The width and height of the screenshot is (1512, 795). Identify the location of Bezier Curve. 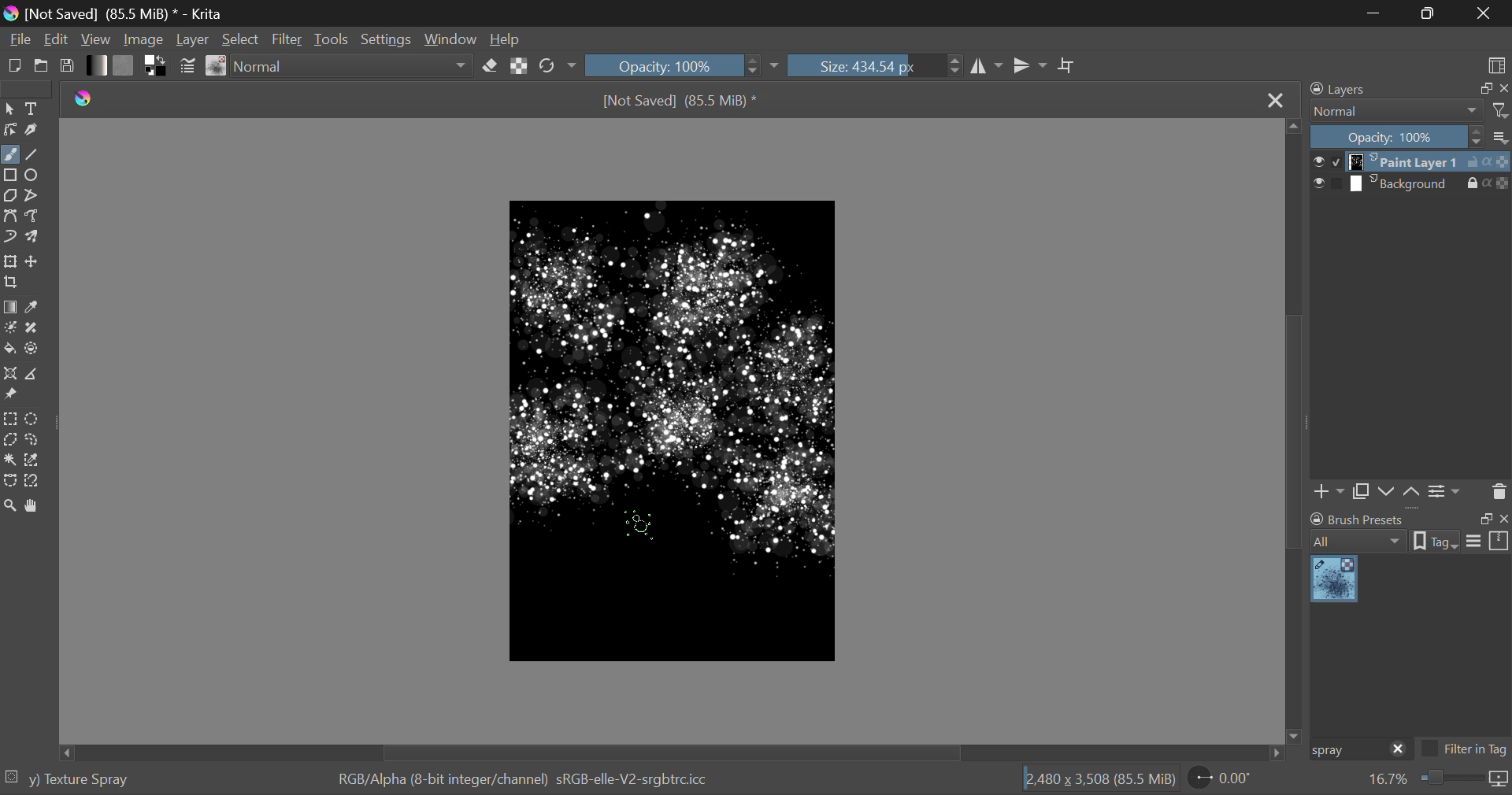
(9, 215).